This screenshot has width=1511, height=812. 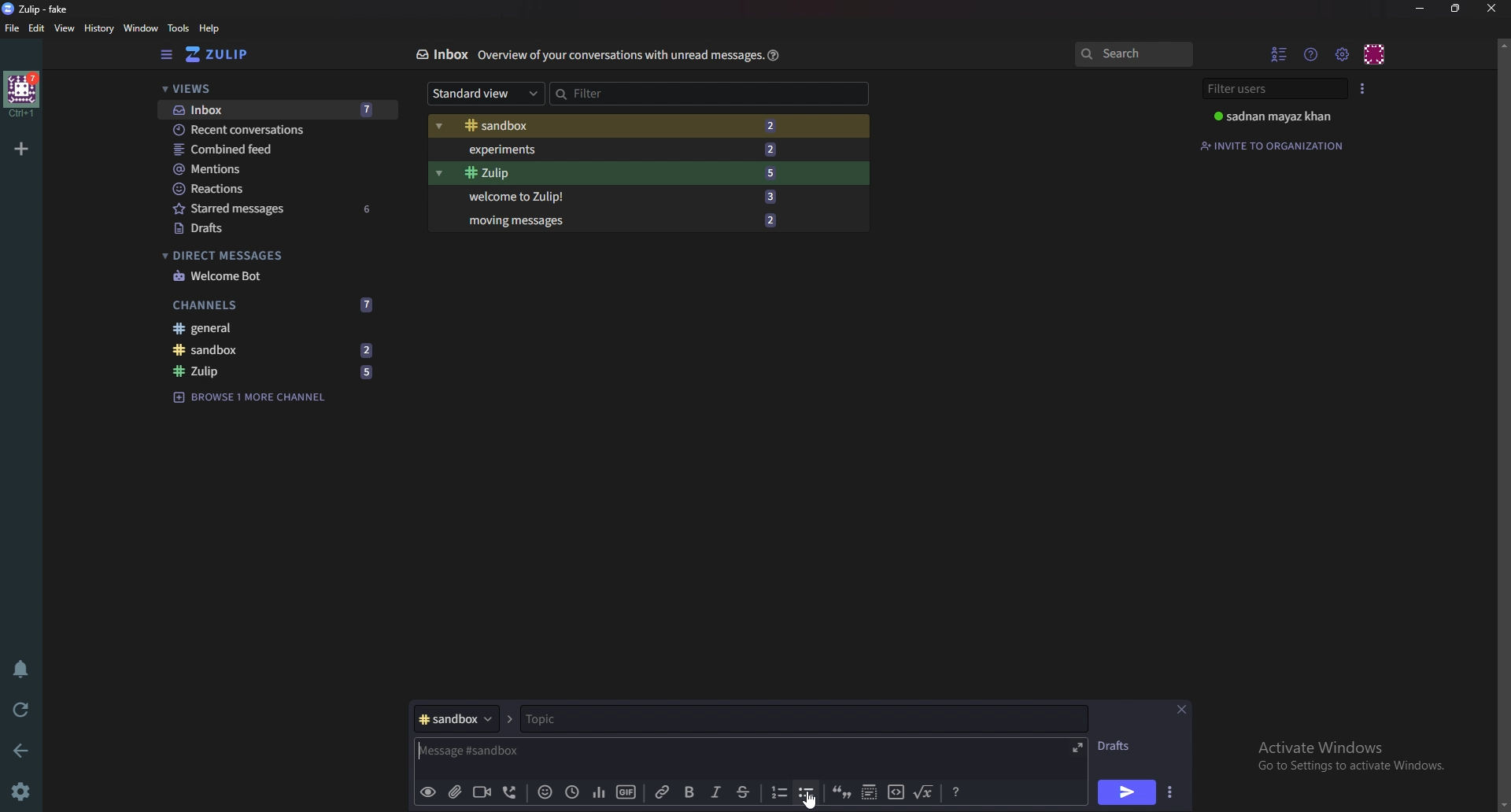 I want to click on preview, so click(x=427, y=793).